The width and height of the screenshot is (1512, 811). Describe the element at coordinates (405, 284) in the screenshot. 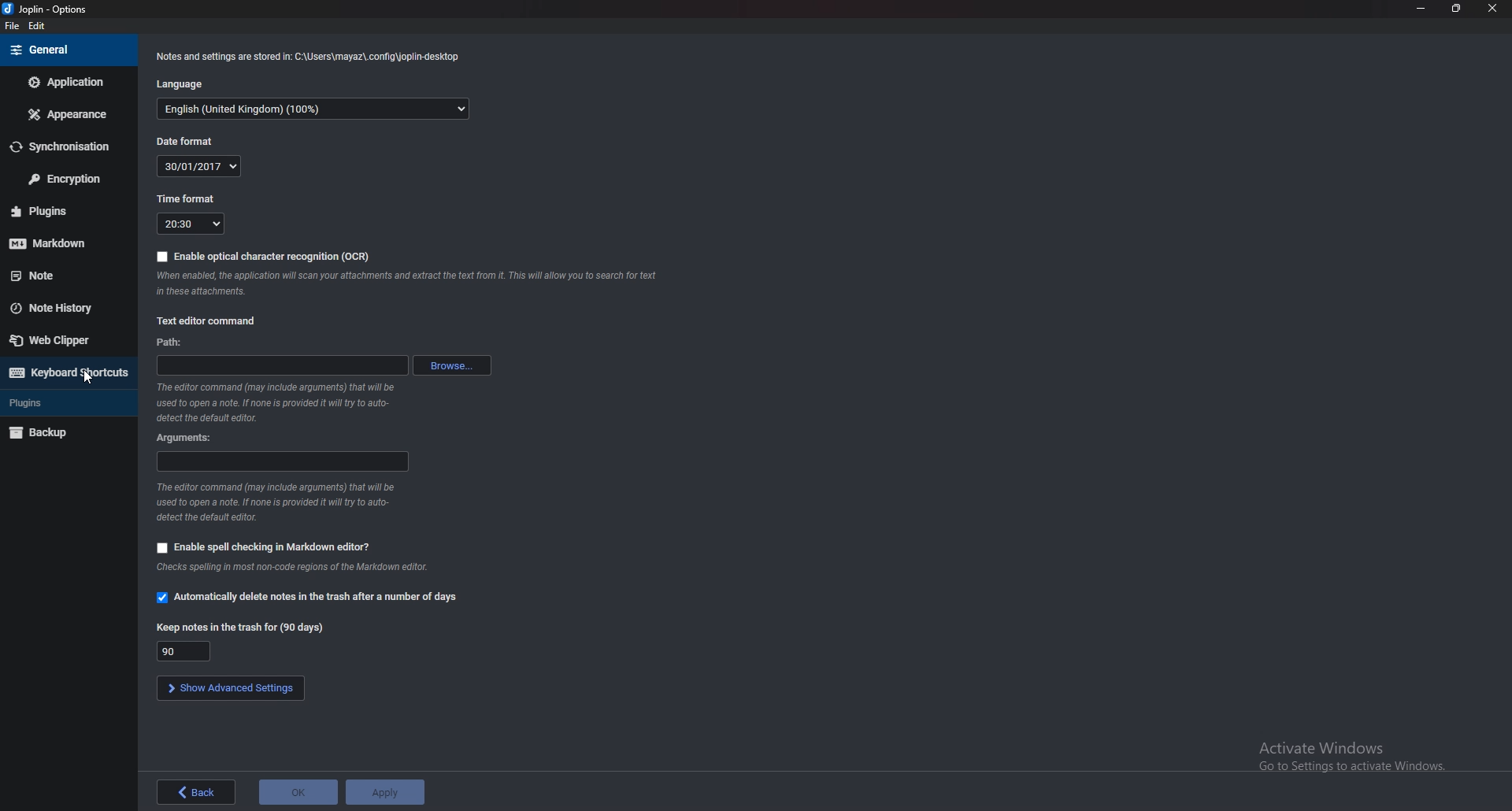

I see `Info` at that location.